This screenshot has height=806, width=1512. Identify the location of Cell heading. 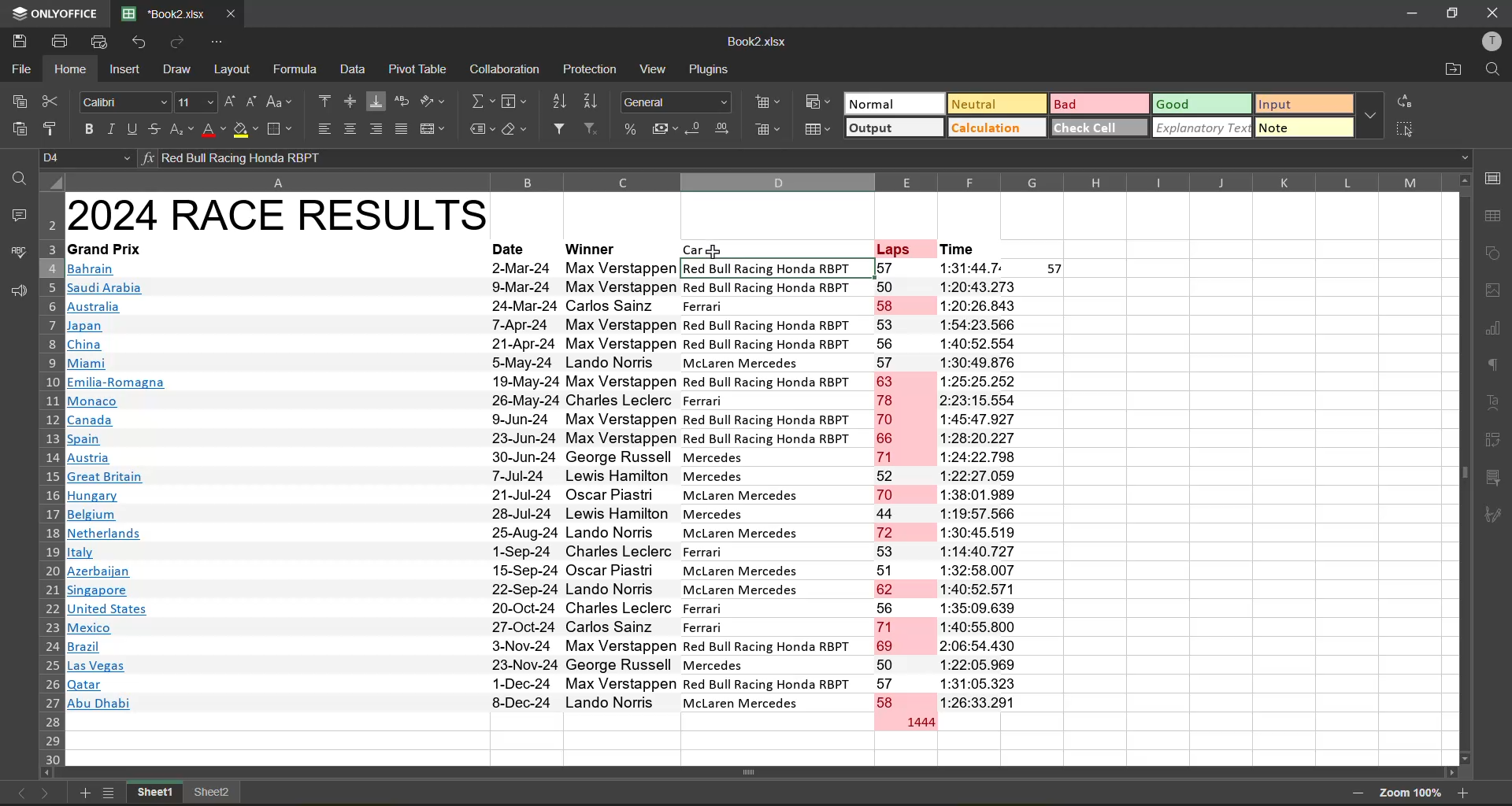
(537, 250).